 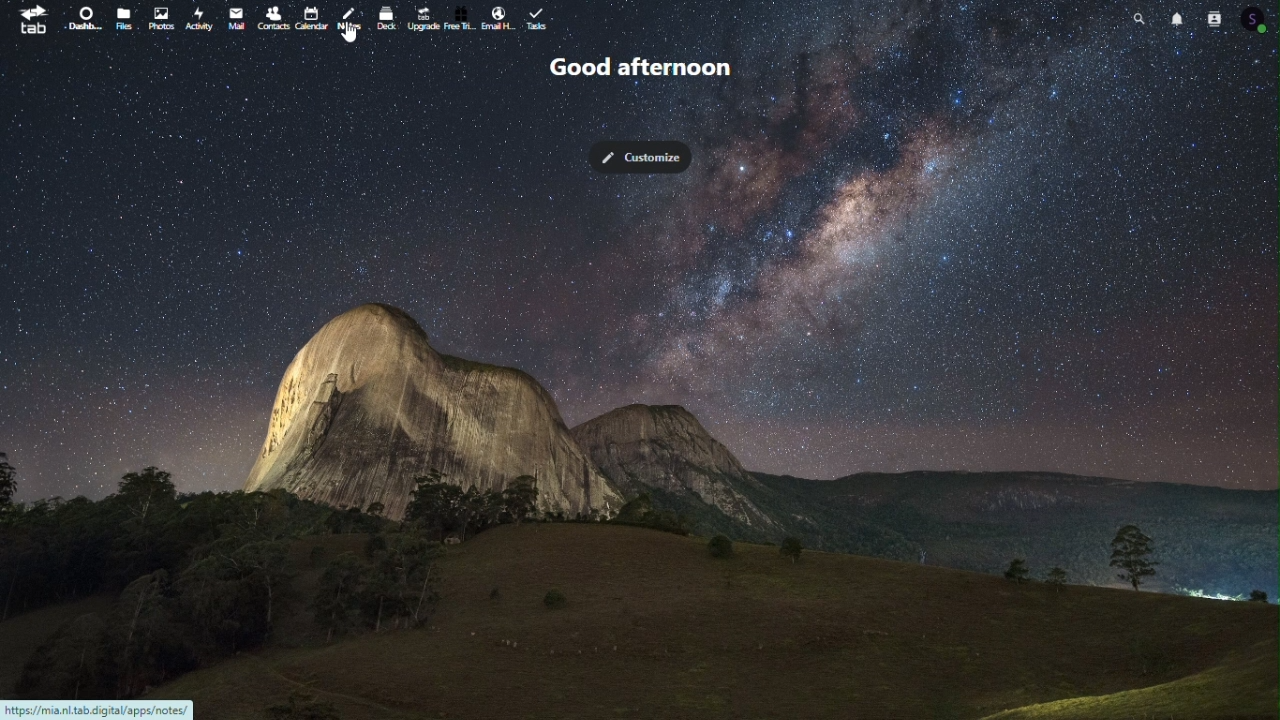 What do you see at coordinates (384, 20) in the screenshot?
I see `Deck` at bounding box center [384, 20].